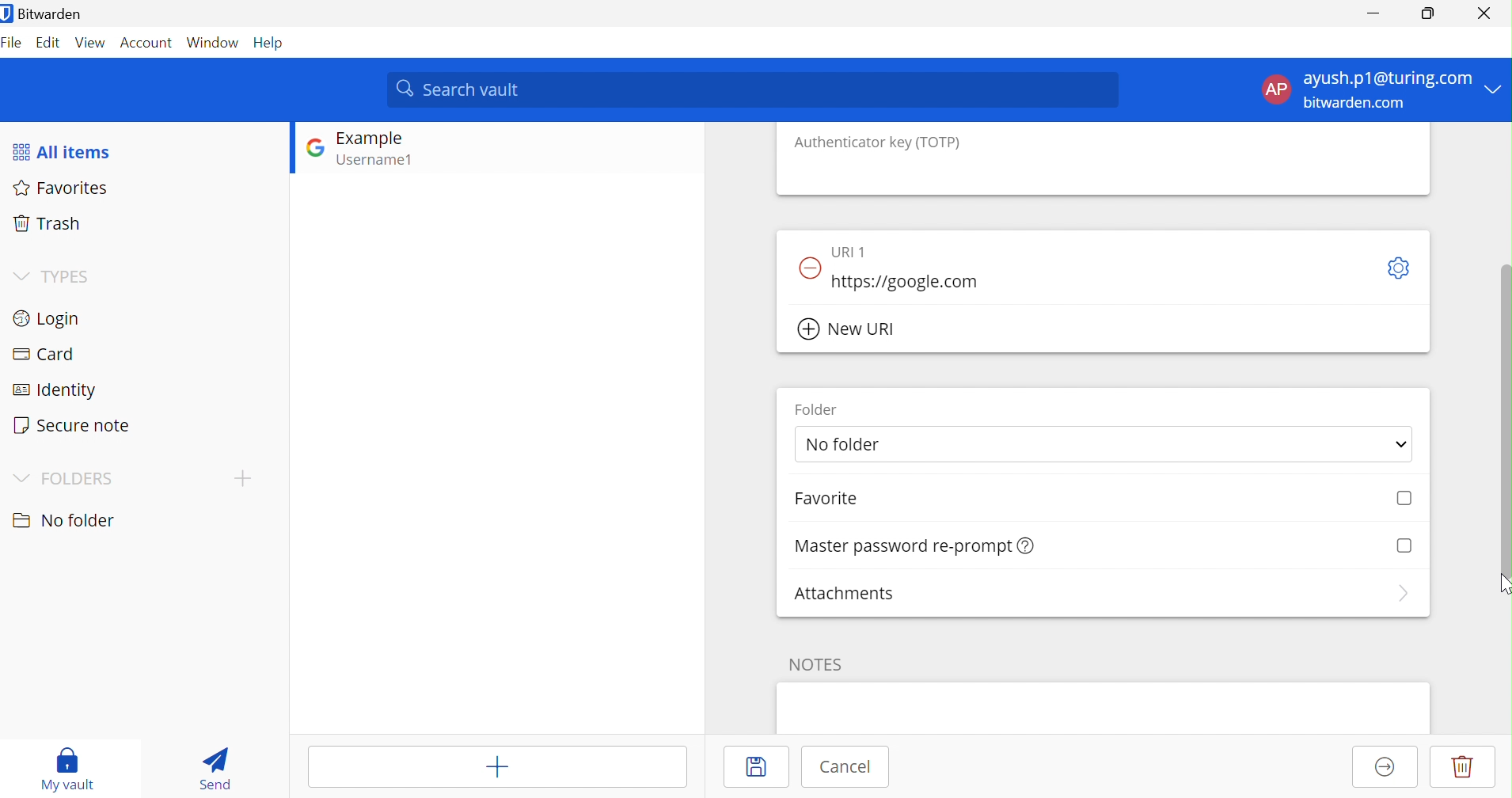  I want to click on Card, so click(44, 352).